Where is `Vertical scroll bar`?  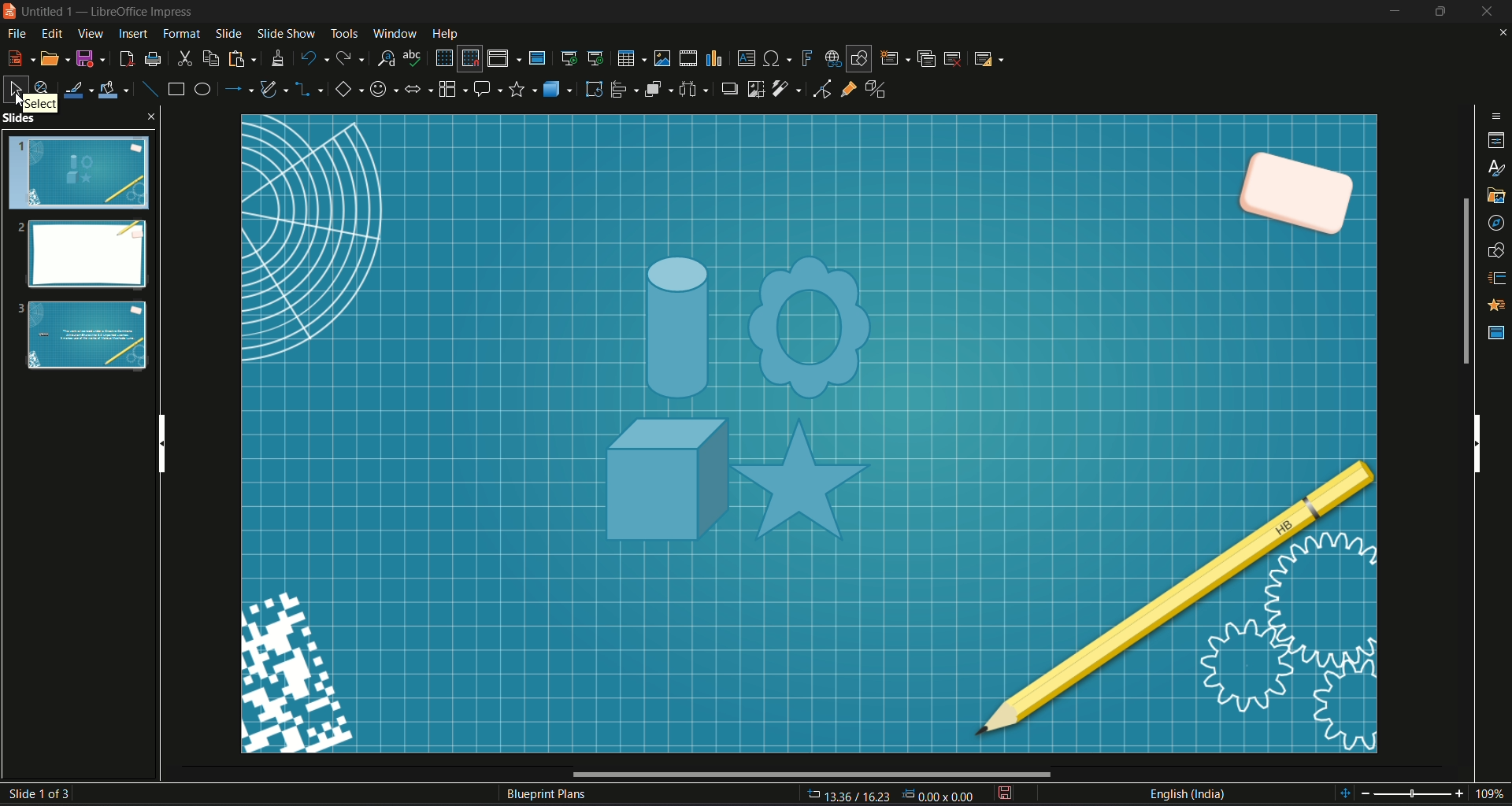 Vertical scroll bar is located at coordinates (1477, 441).